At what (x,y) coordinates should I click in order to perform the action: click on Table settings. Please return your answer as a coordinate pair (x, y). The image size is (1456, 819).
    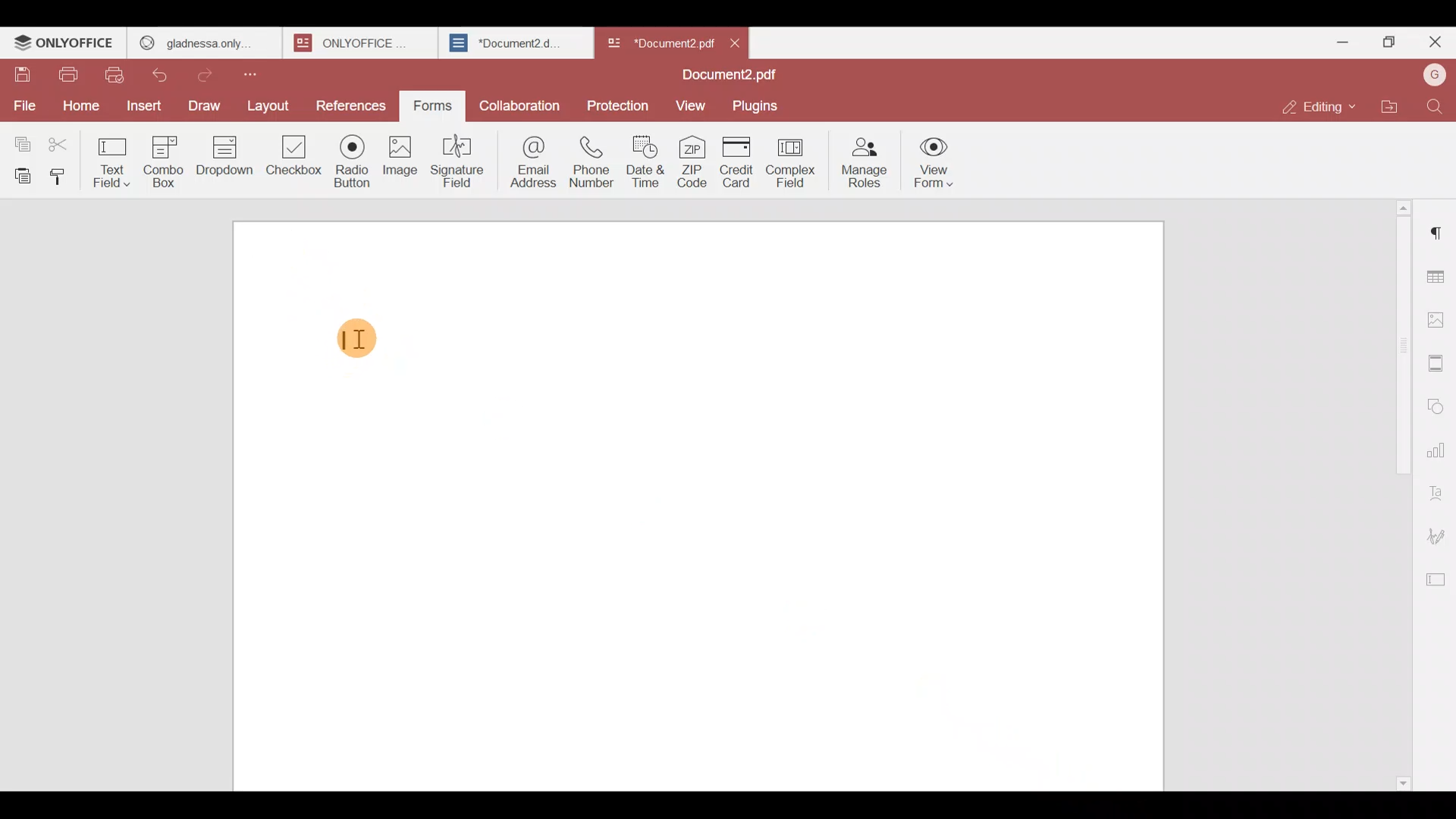
    Looking at the image, I should click on (1439, 275).